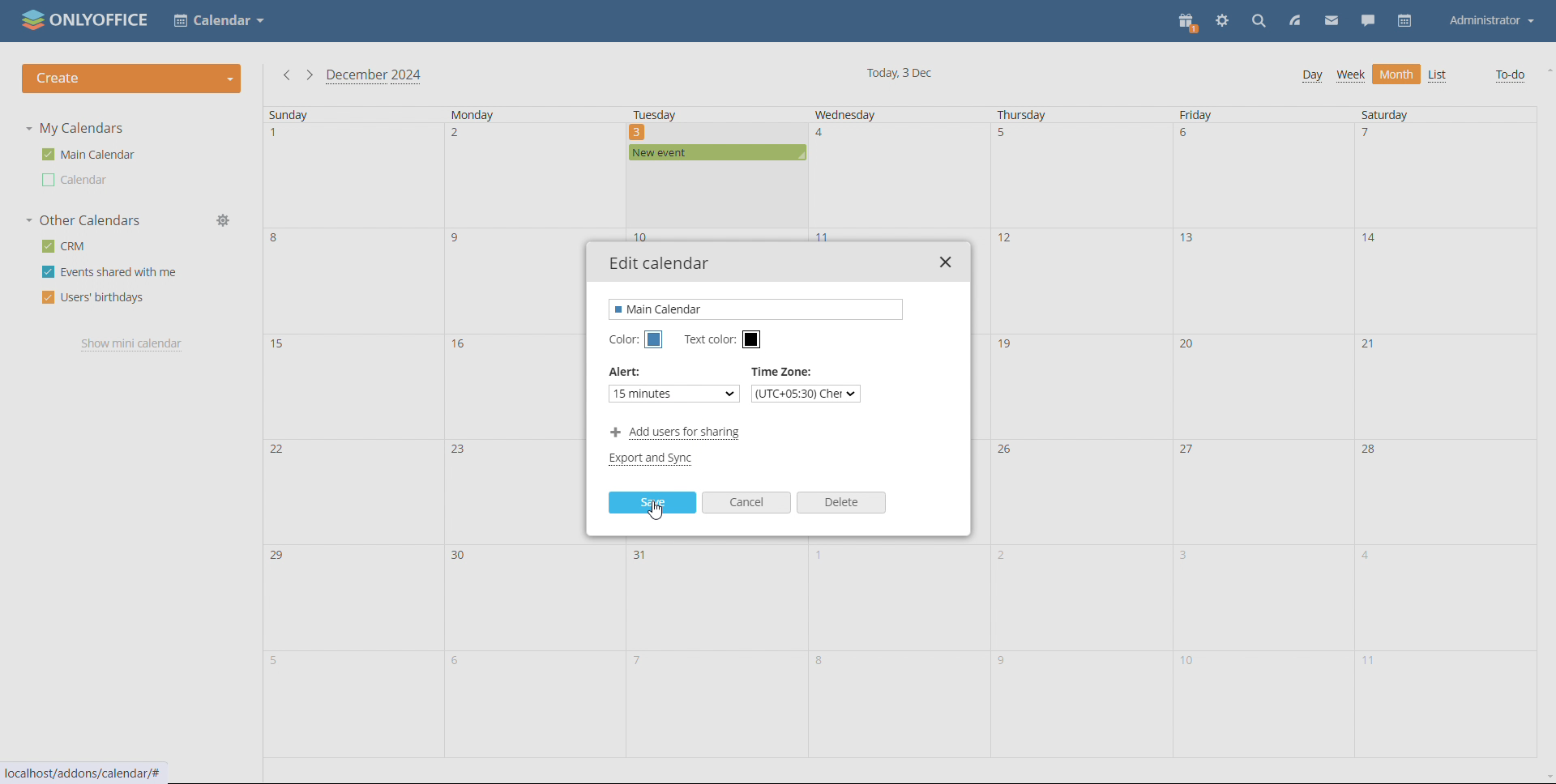 The height and width of the screenshot is (784, 1556). What do you see at coordinates (1443, 491) in the screenshot?
I see `date` at bounding box center [1443, 491].